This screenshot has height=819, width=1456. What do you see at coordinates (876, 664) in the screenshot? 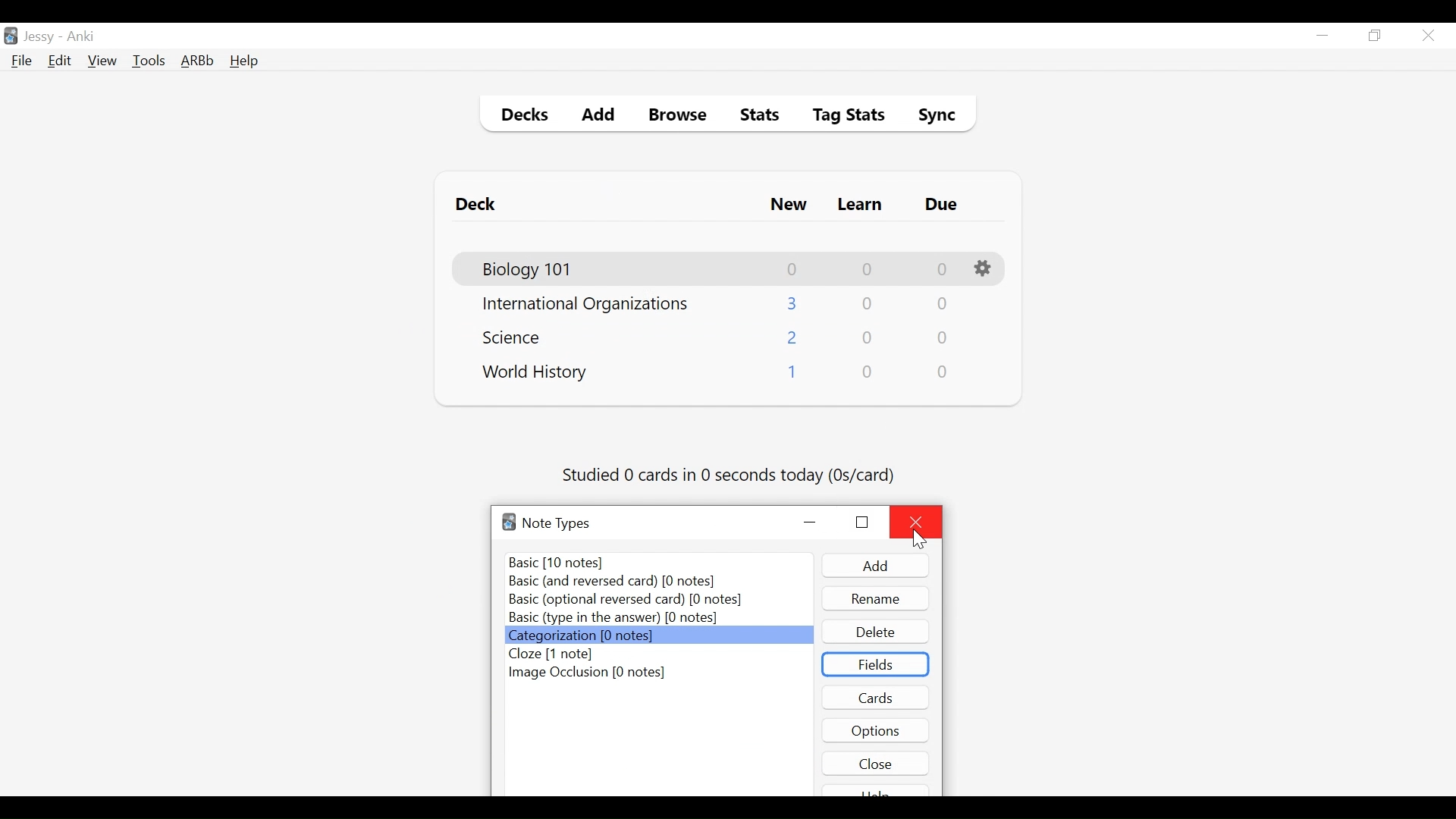
I see `Fields` at bounding box center [876, 664].